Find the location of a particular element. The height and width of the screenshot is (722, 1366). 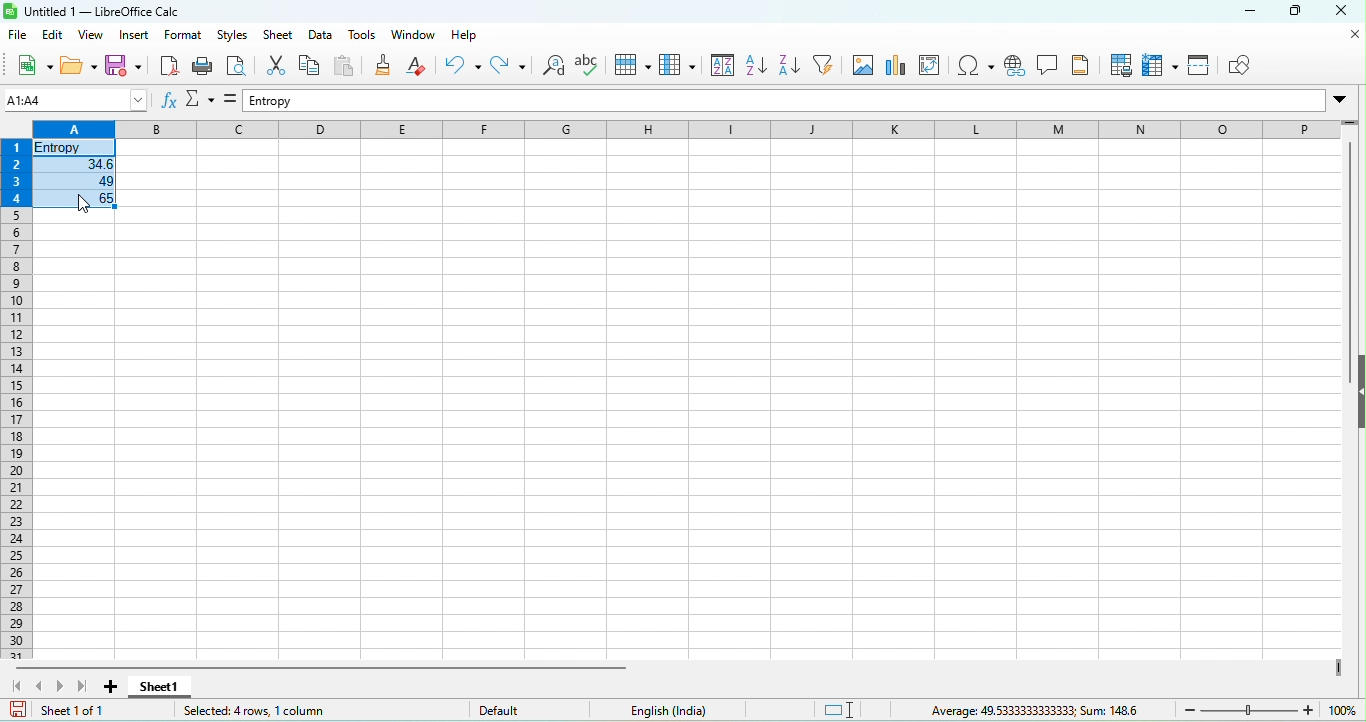

rows is located at coordinates (15, 390).